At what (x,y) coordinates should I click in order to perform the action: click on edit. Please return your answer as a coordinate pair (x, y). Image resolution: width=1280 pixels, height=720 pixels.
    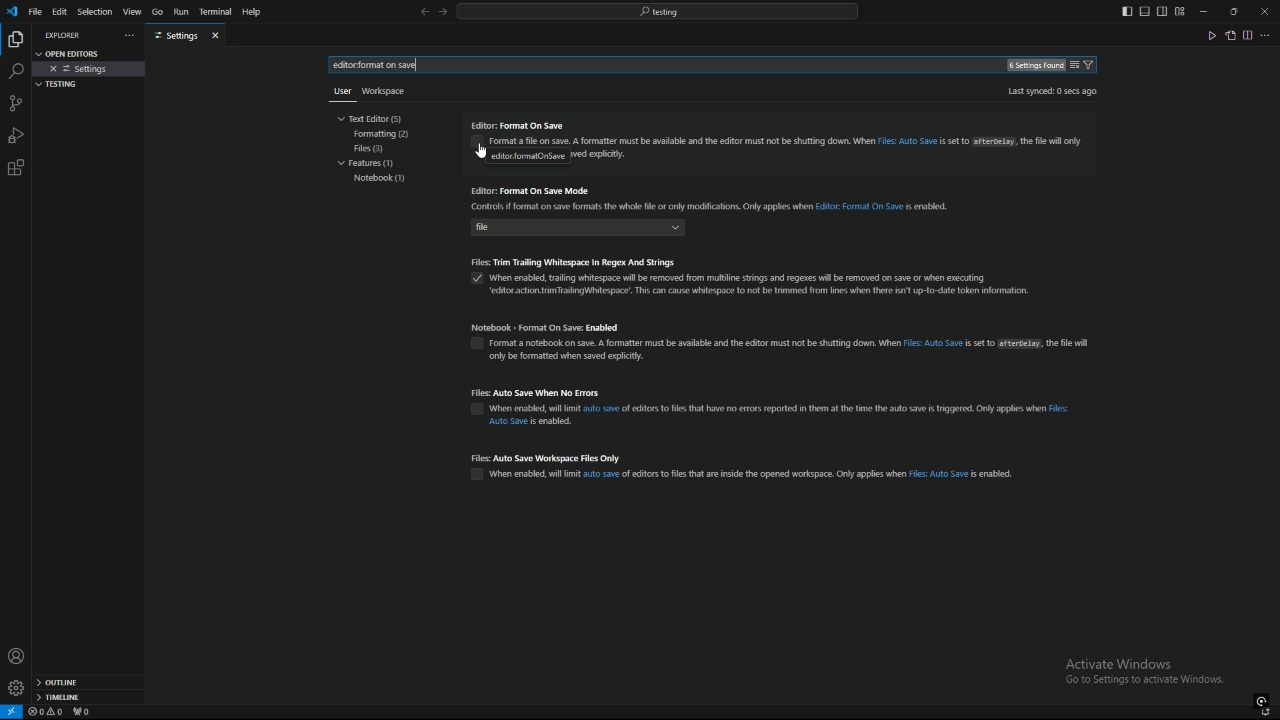
    Looking at the image, I should click on (60, 11).